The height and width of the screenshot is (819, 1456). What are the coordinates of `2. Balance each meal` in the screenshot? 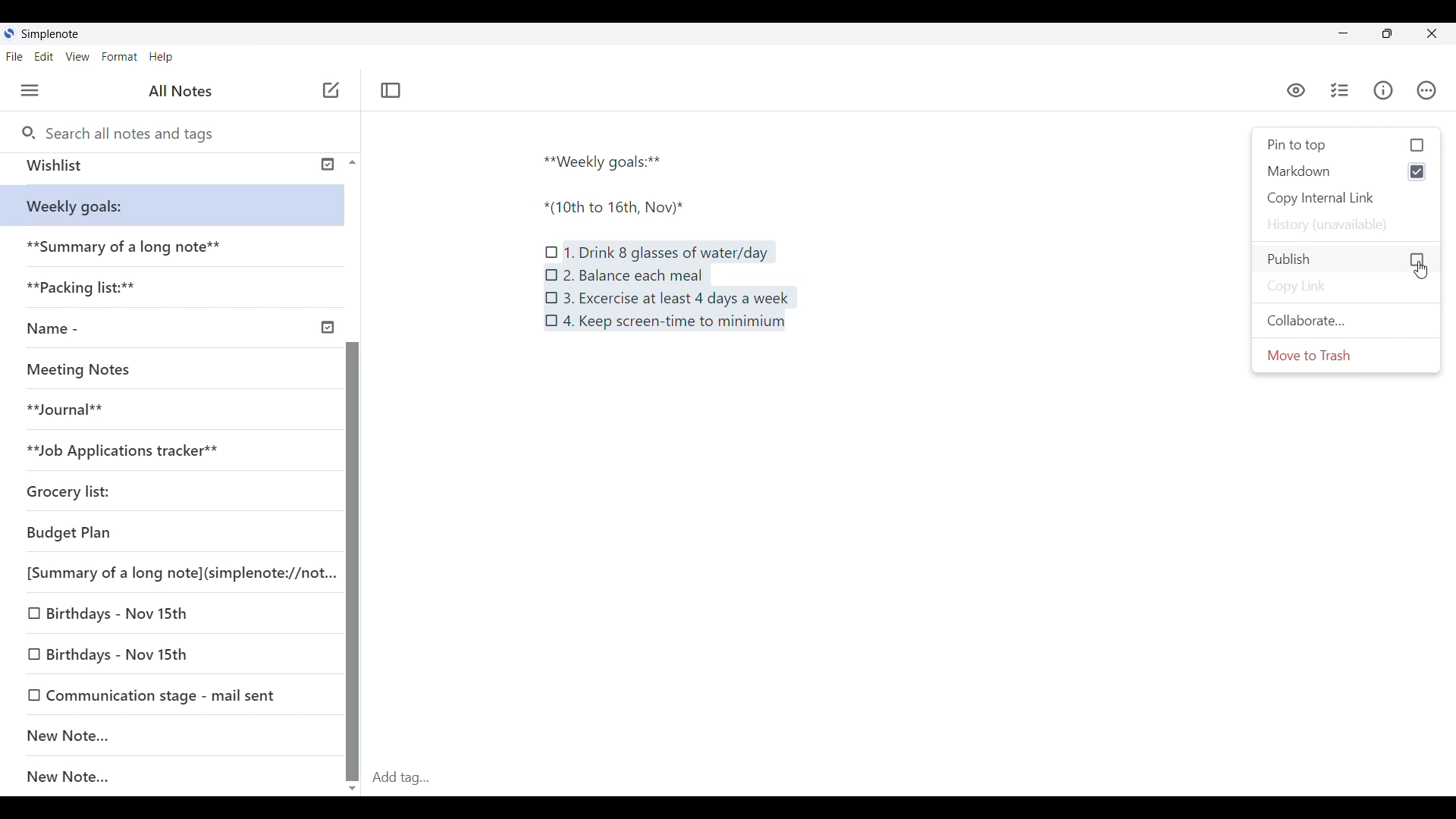 It's located at (632, 275).